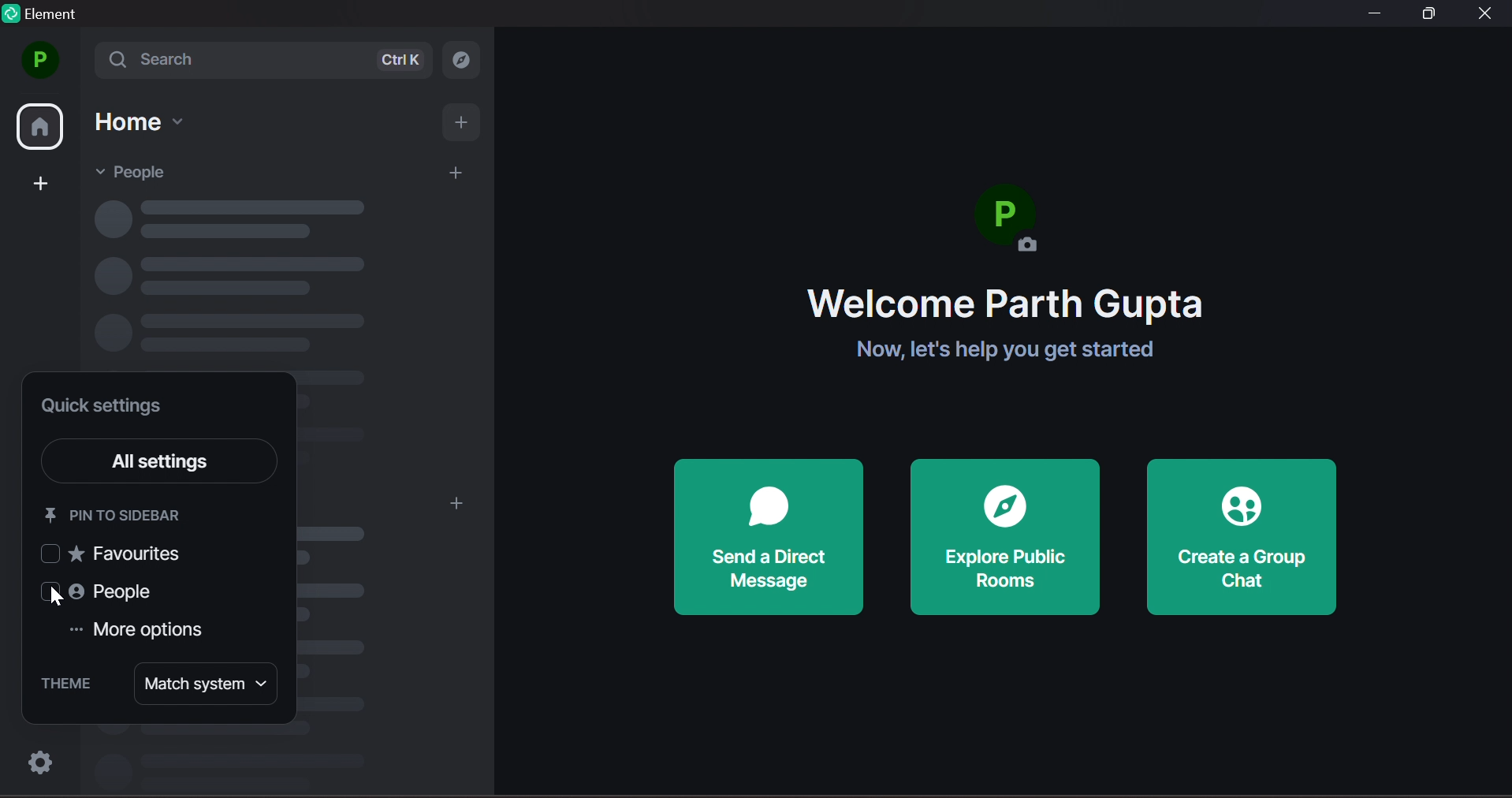  What do you see at coordinates (140, 122) in the screenshot?
I see `home` at bounding box center [140, 122].